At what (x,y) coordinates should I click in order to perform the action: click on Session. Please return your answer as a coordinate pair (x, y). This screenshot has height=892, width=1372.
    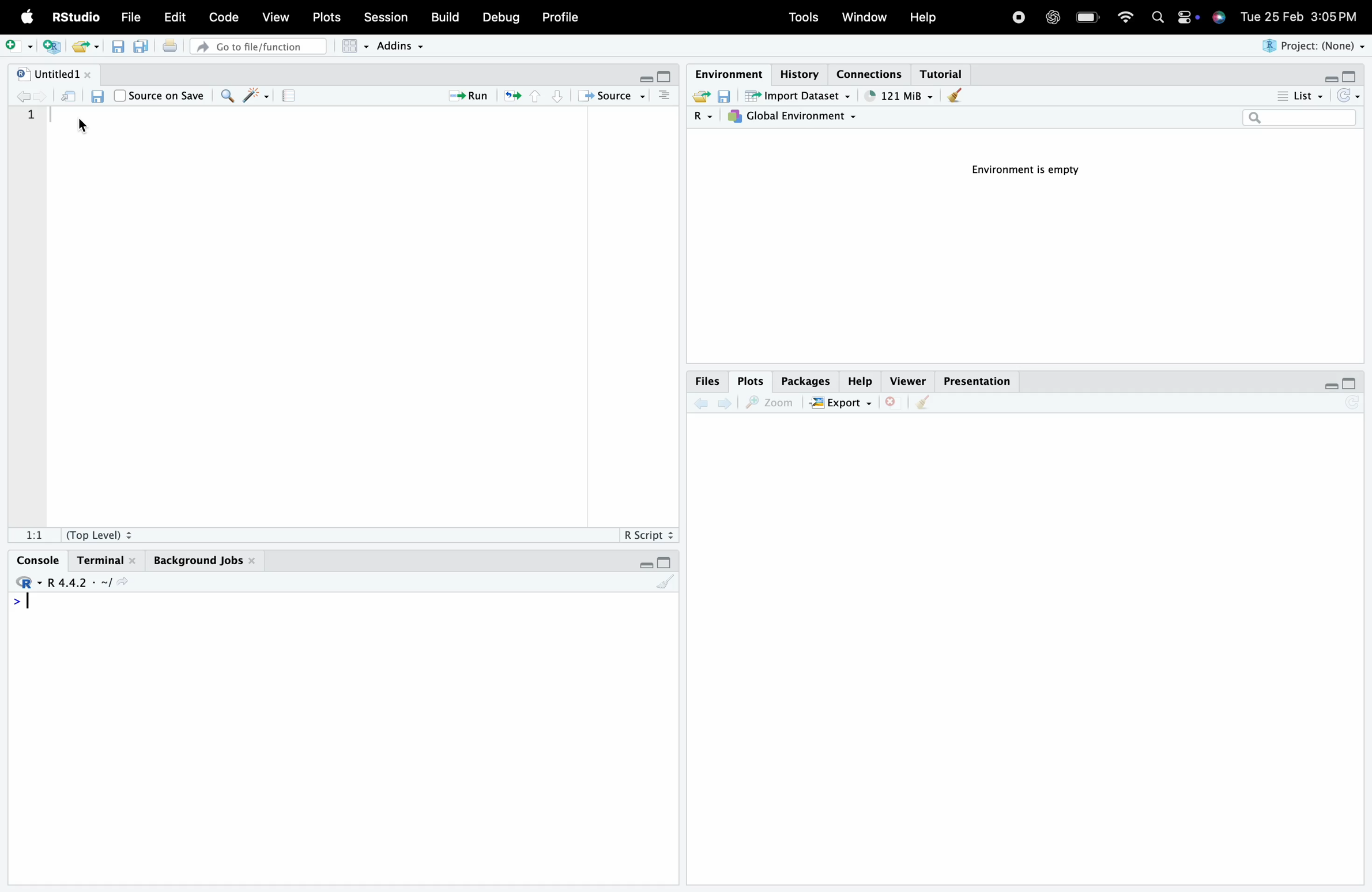
    Looking at the image, I should click on (385, 19).